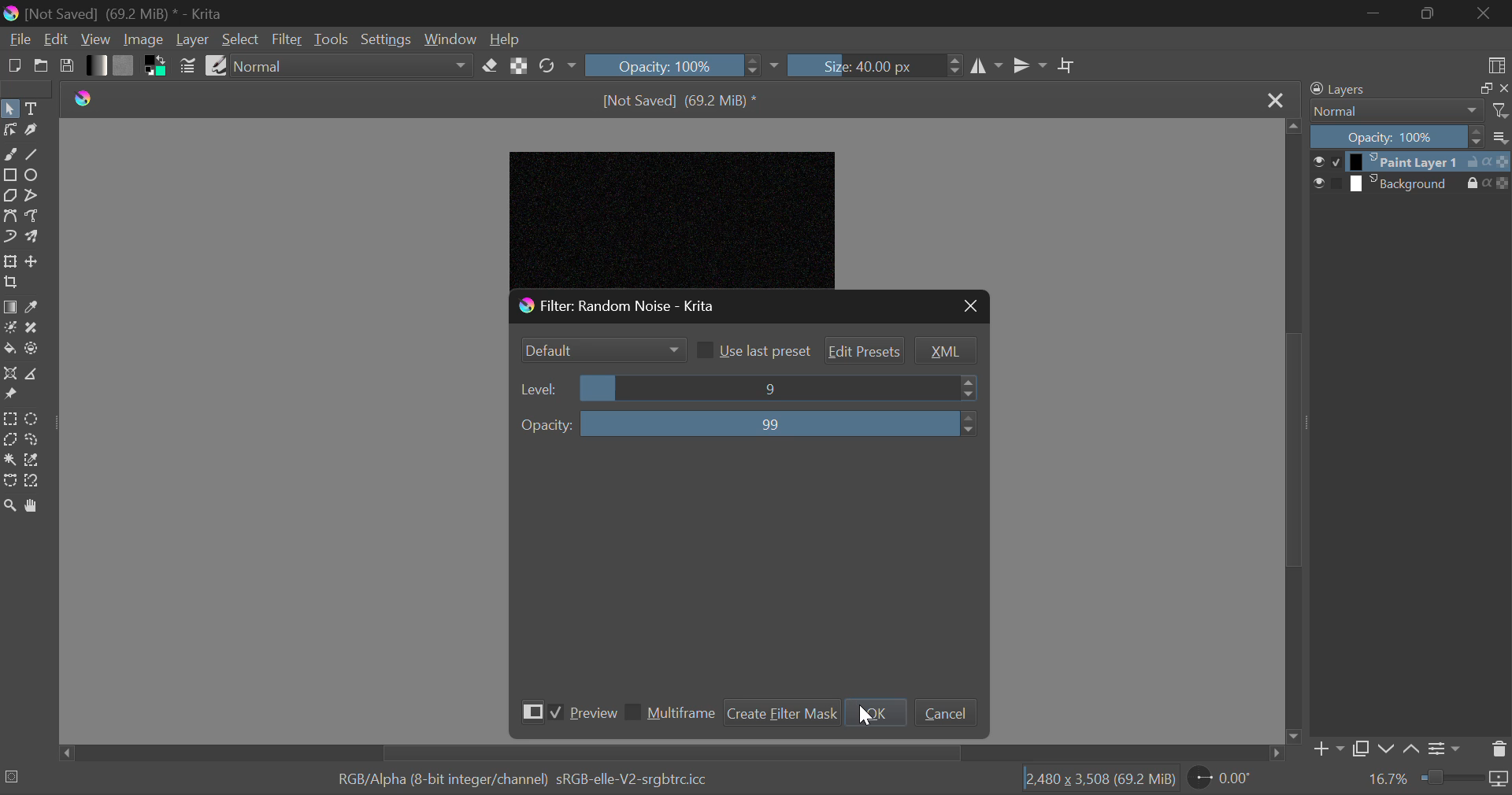 The width and height of the screenshot is (1512, 795). What do you see at coordinates (504, 40) in the screenshot?
I see `Help` at bounding box center [504, 40].